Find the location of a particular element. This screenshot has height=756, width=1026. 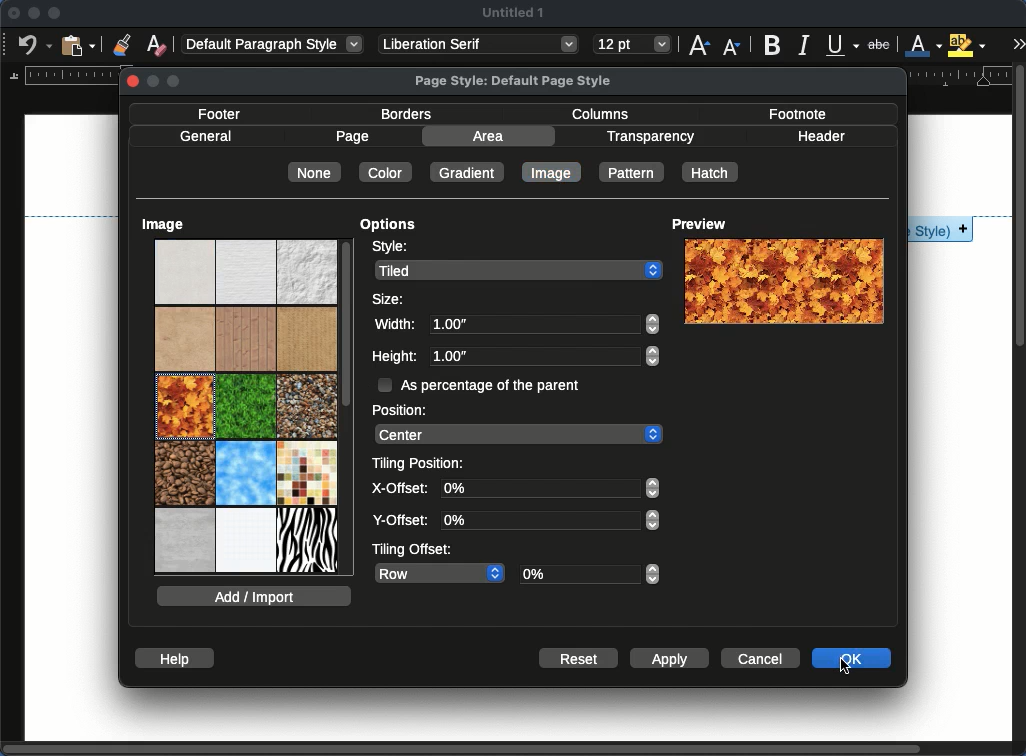

image is located at coordinates (555, 172).